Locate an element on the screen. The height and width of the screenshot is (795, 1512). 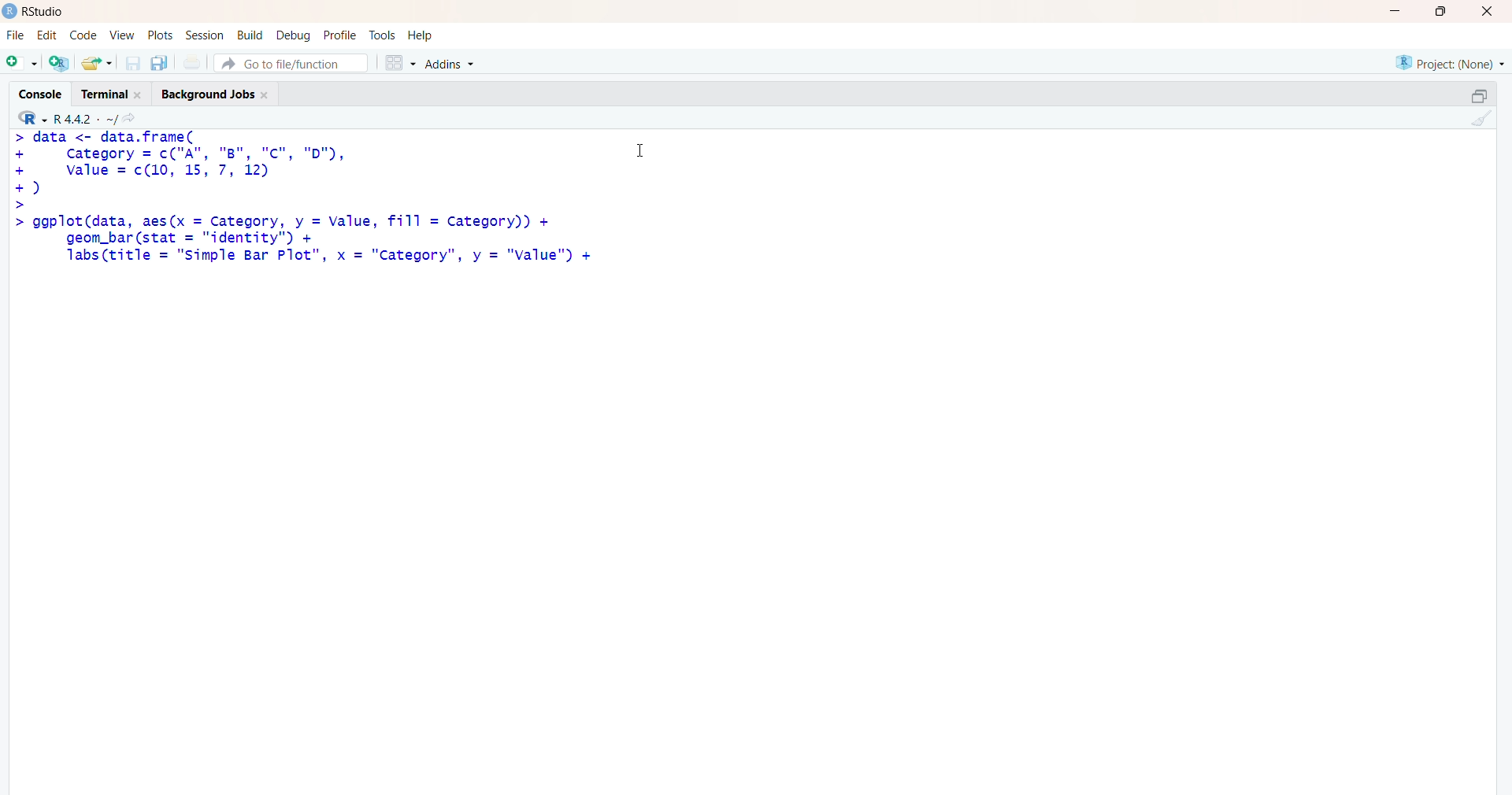
selected project - none is located at coordinates (1452, 62).